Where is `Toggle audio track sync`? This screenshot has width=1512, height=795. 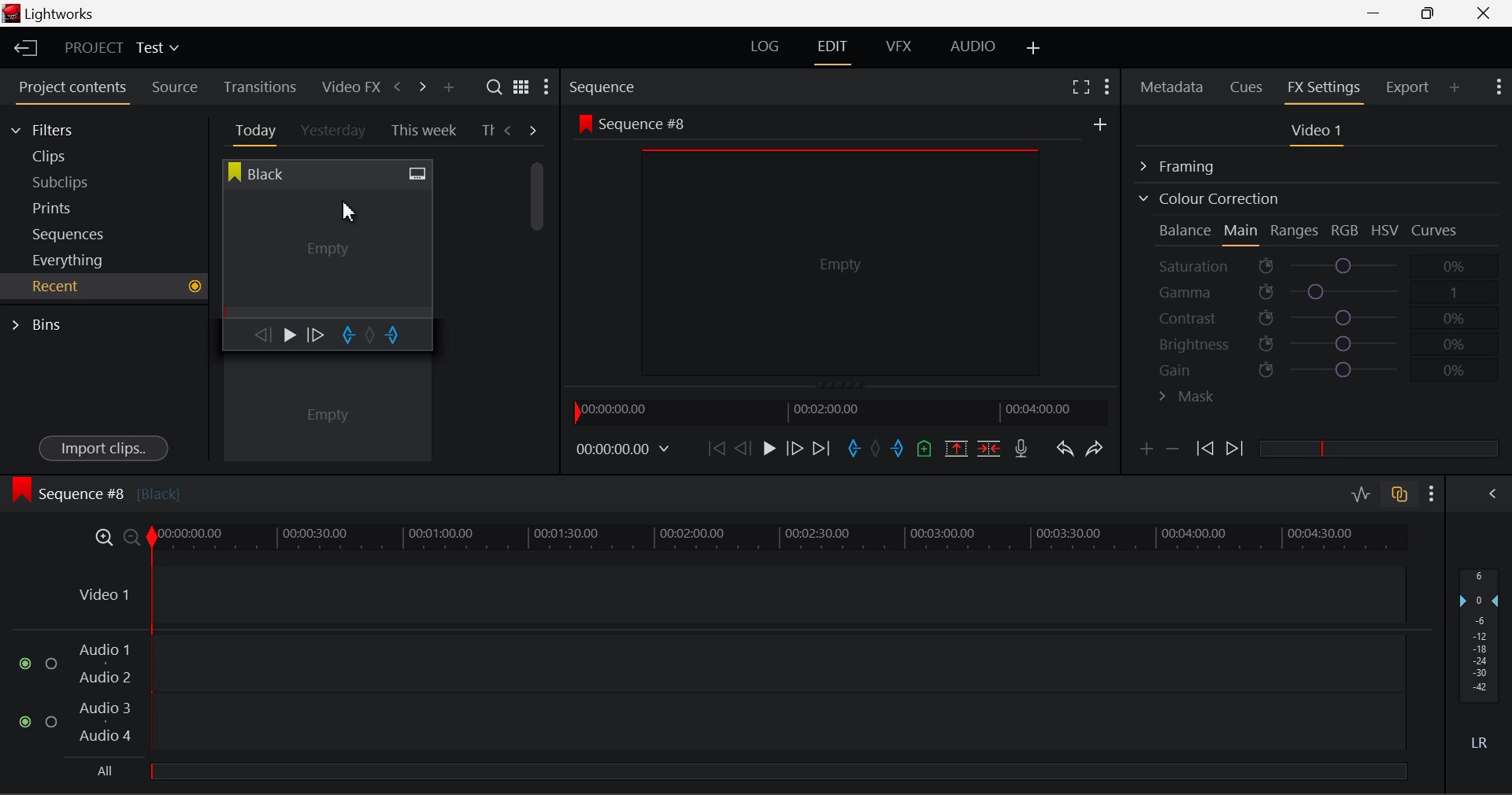
Toggle audio track sync is located at coordinates (1400, 493).